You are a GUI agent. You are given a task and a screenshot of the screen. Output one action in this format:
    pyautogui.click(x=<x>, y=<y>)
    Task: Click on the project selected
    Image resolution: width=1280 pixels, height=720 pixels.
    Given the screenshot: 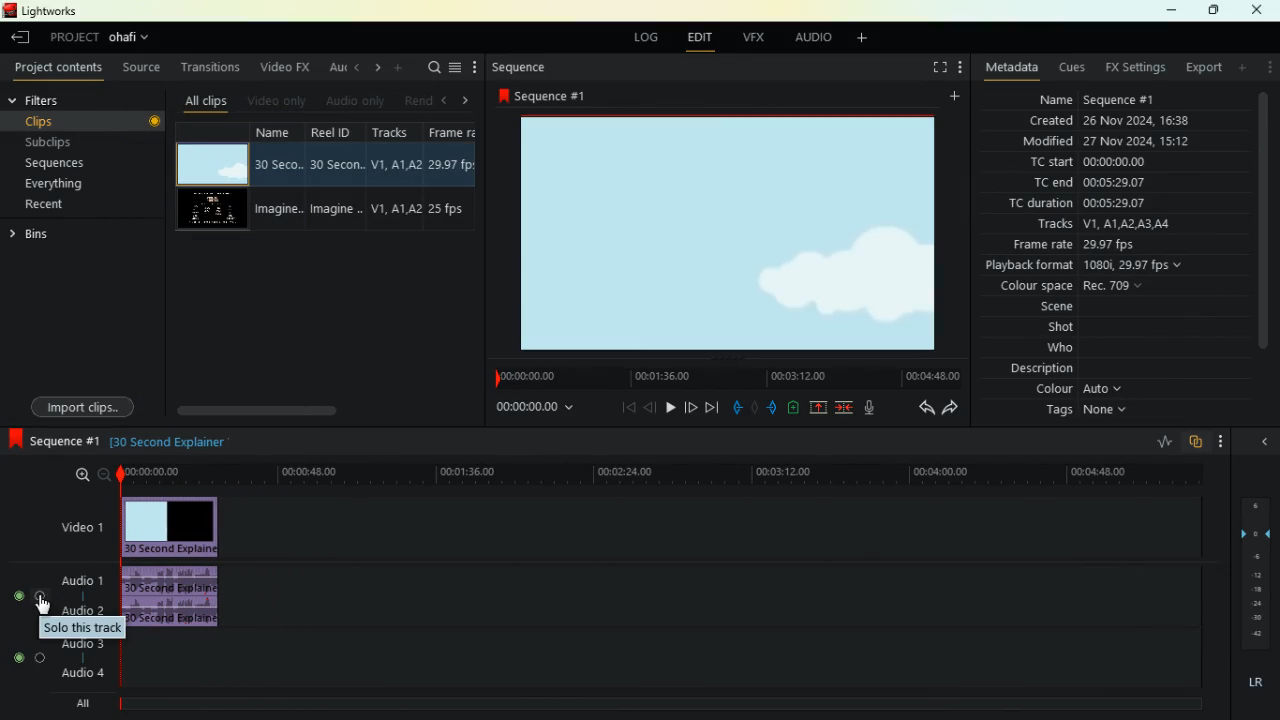 What is the action you would take?
    pyautogui.click(x=102, y=36)
    